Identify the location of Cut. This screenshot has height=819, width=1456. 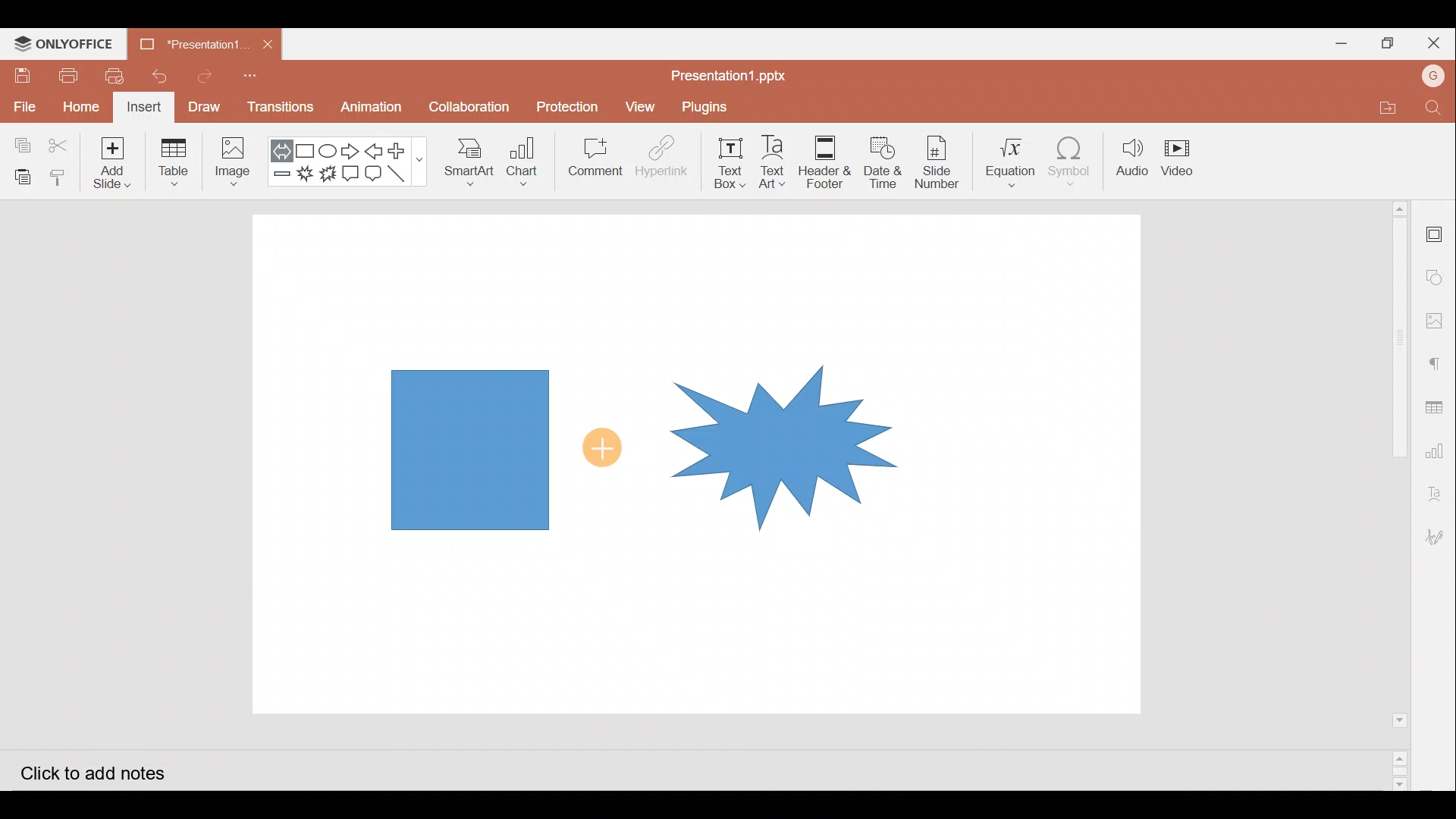
(67, 142).